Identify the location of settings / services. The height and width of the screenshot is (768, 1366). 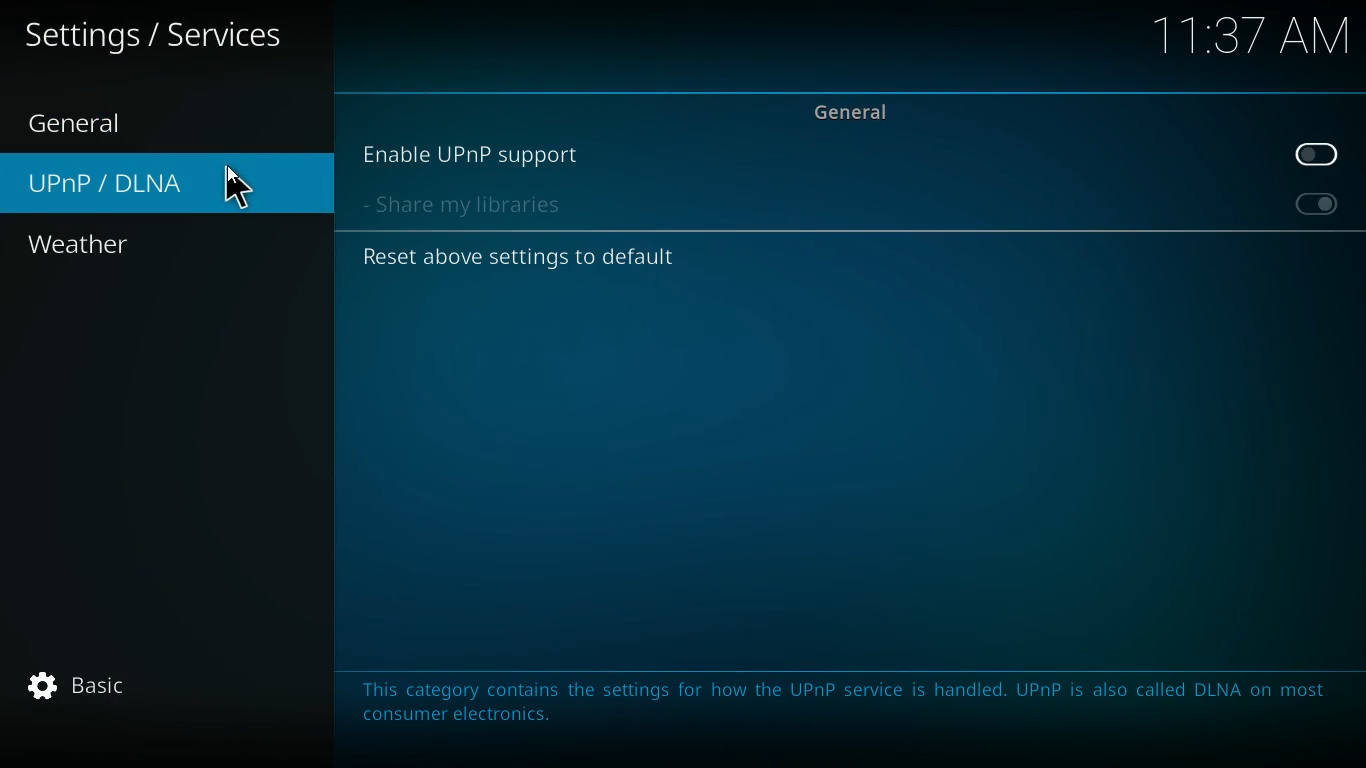
(159, 36).